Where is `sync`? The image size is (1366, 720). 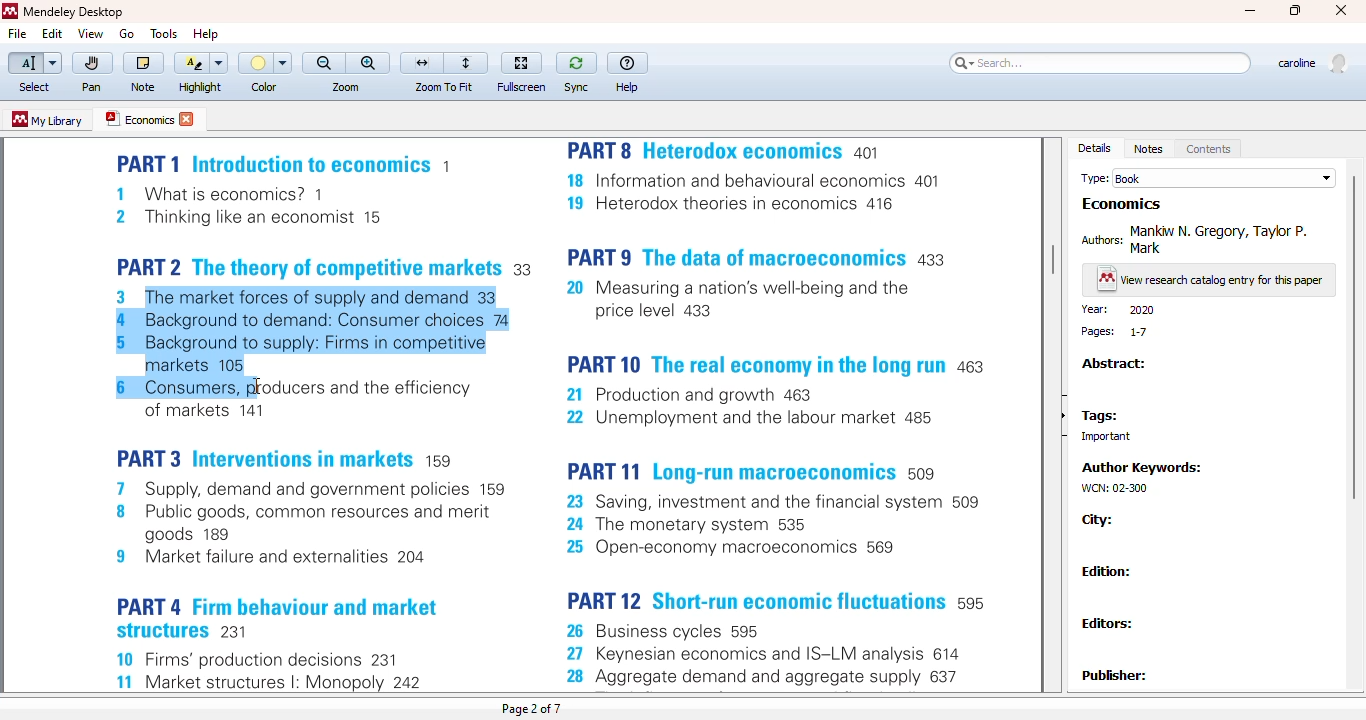 sync is located at coordinates (577, 64).